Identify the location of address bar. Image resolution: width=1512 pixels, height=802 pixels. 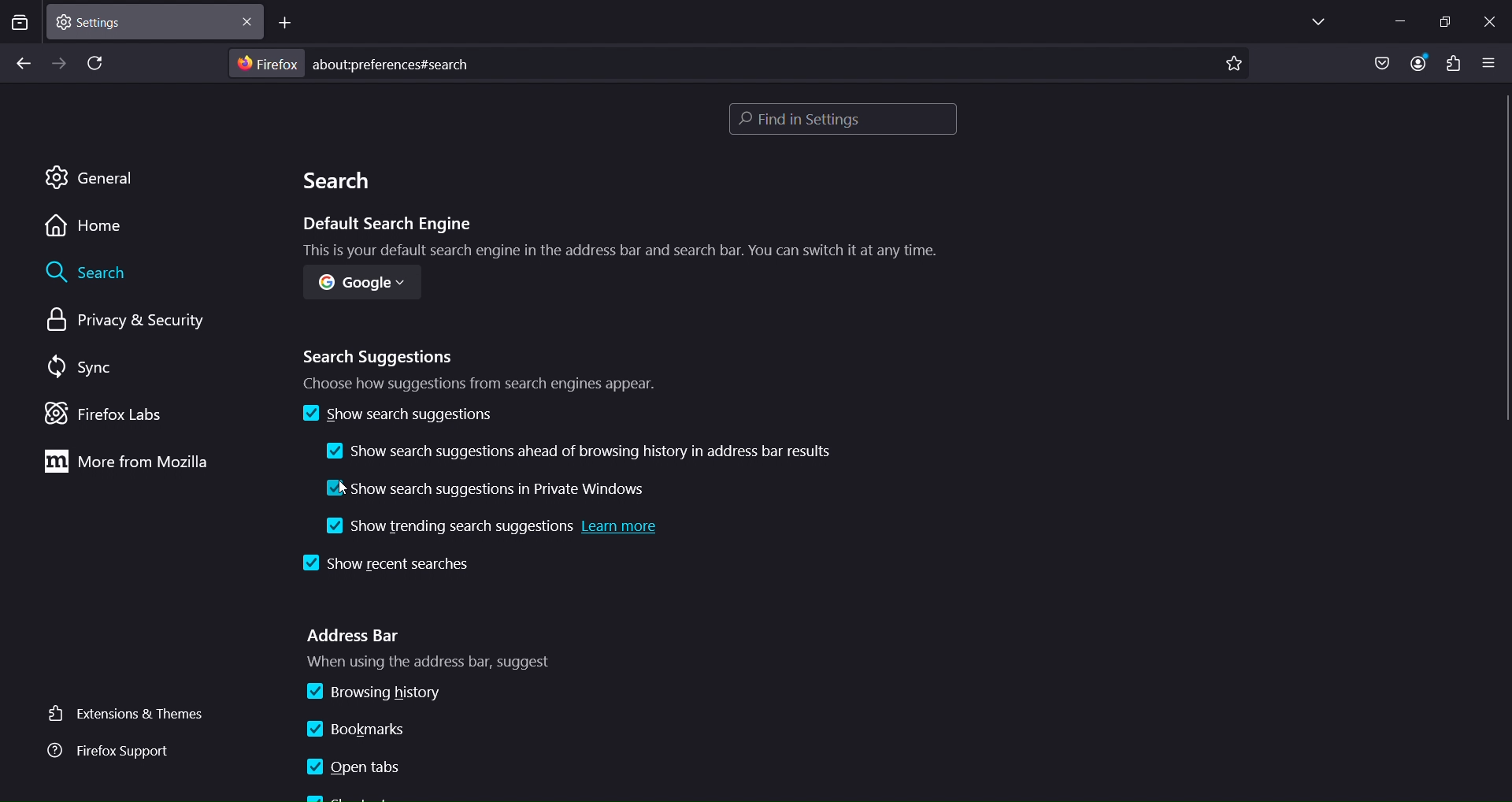
(354, 635).